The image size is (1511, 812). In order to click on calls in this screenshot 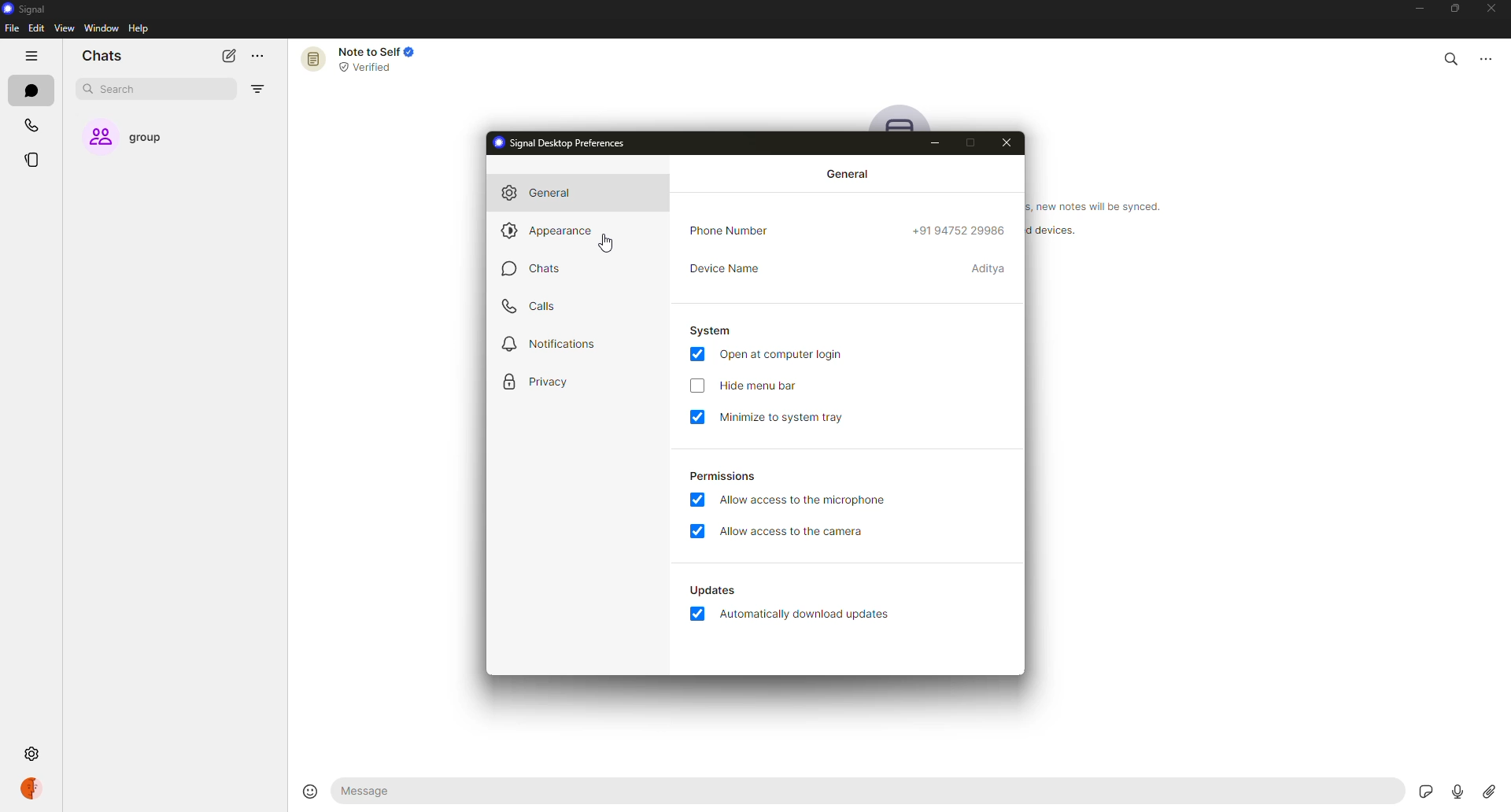, I will do `click(531, 305)`.